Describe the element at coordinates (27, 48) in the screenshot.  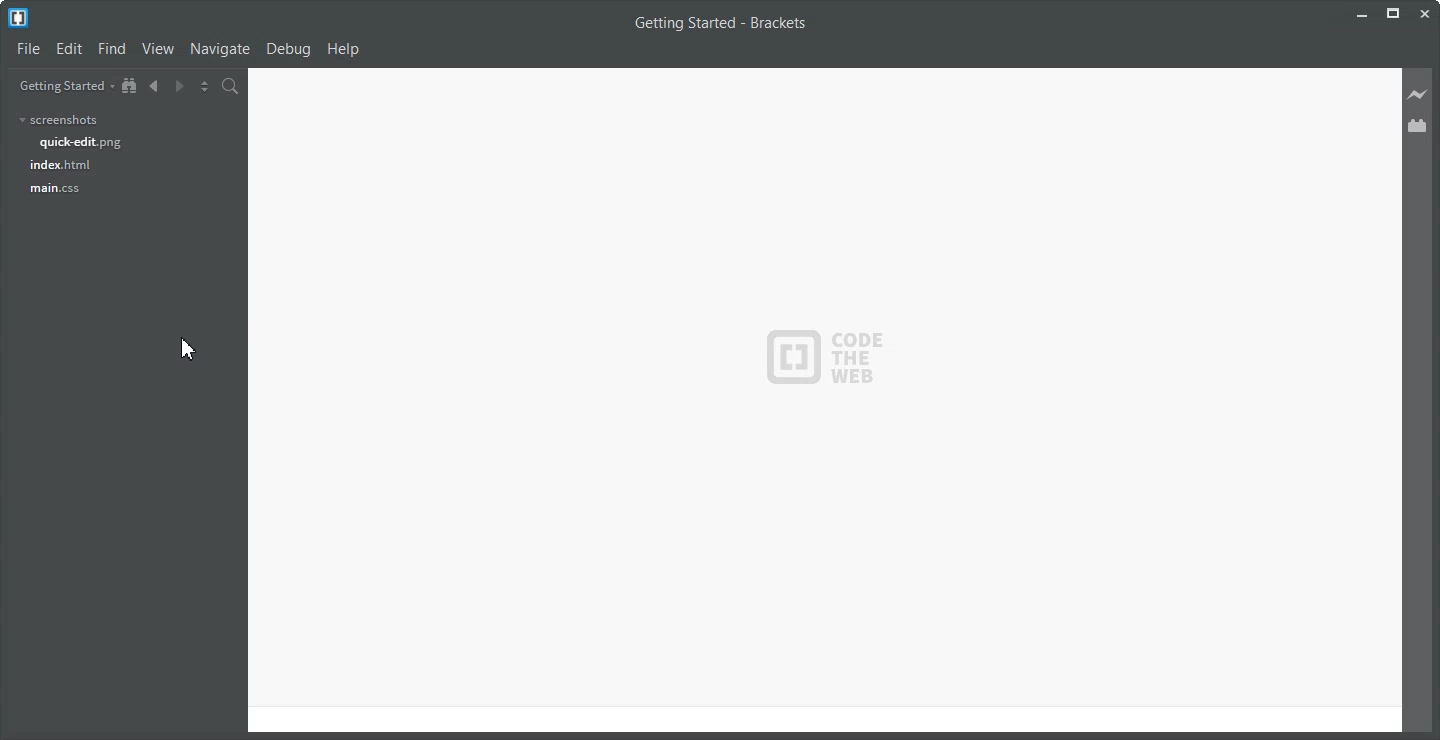
I see `File` at that location.